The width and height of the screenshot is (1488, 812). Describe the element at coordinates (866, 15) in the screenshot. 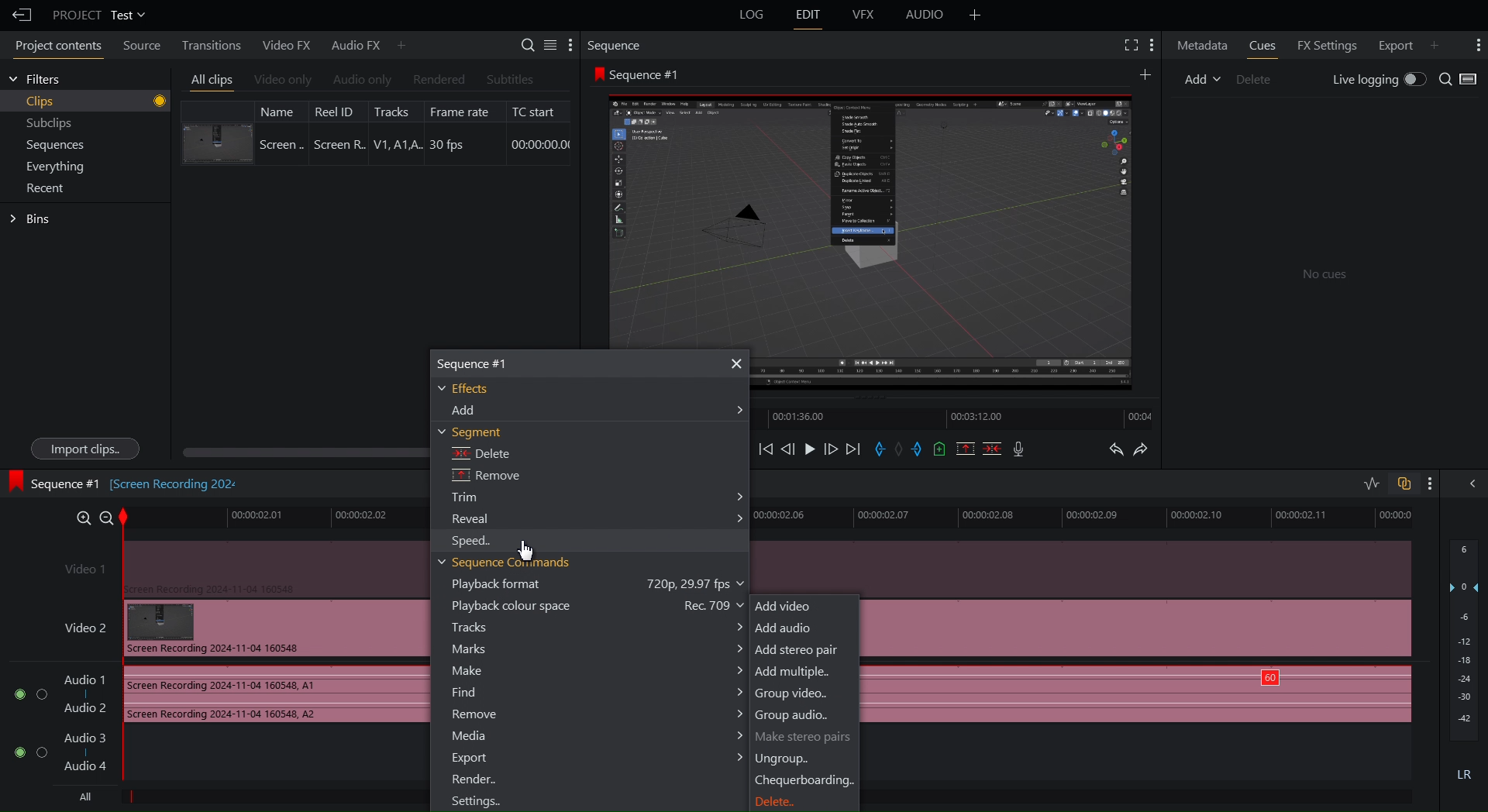

I see `VFX` at that location.